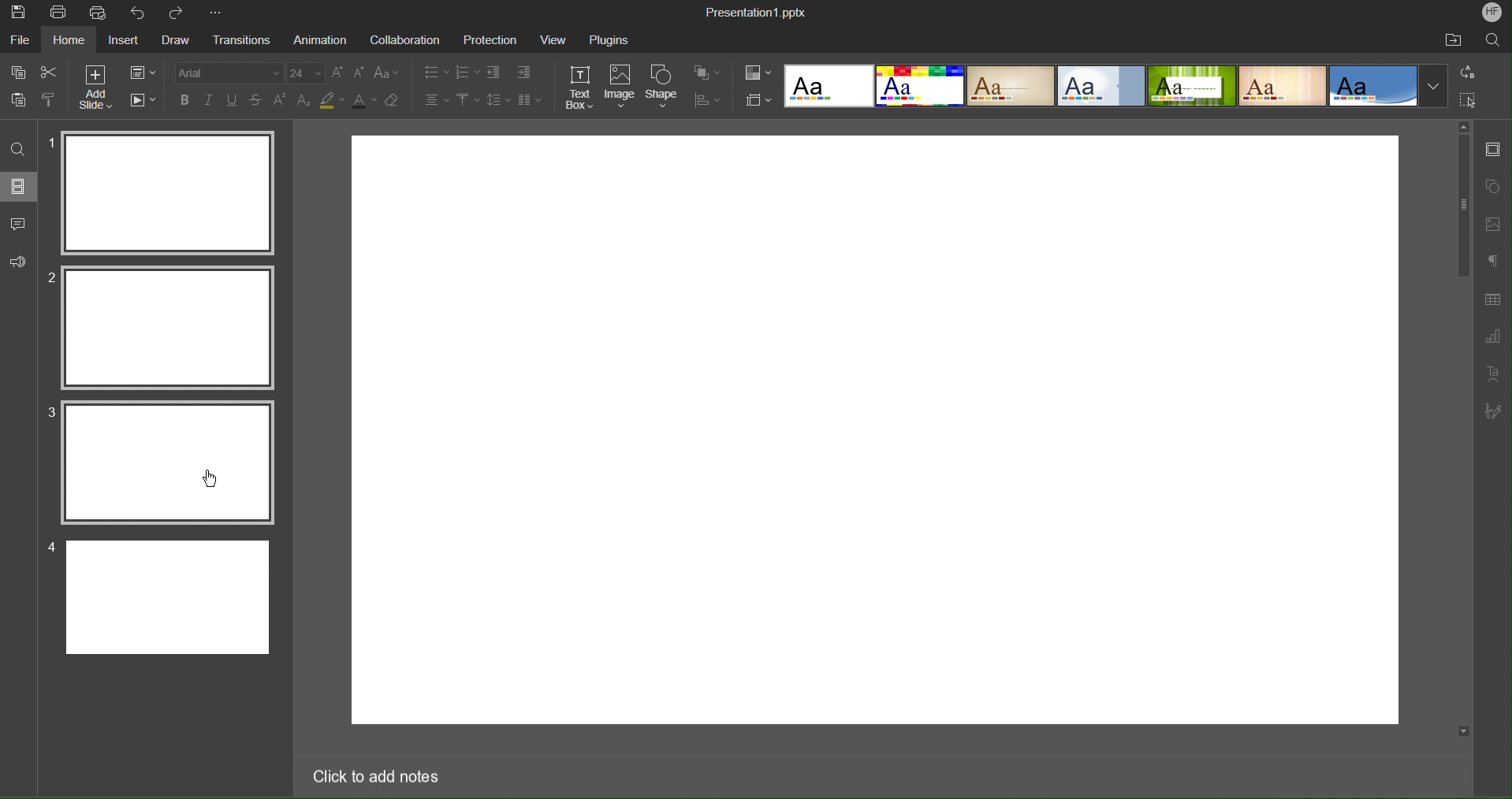  What do you see at coordinates (215, 13) in the screenshot?
I see `More Options` at bounding box center [215, 13].